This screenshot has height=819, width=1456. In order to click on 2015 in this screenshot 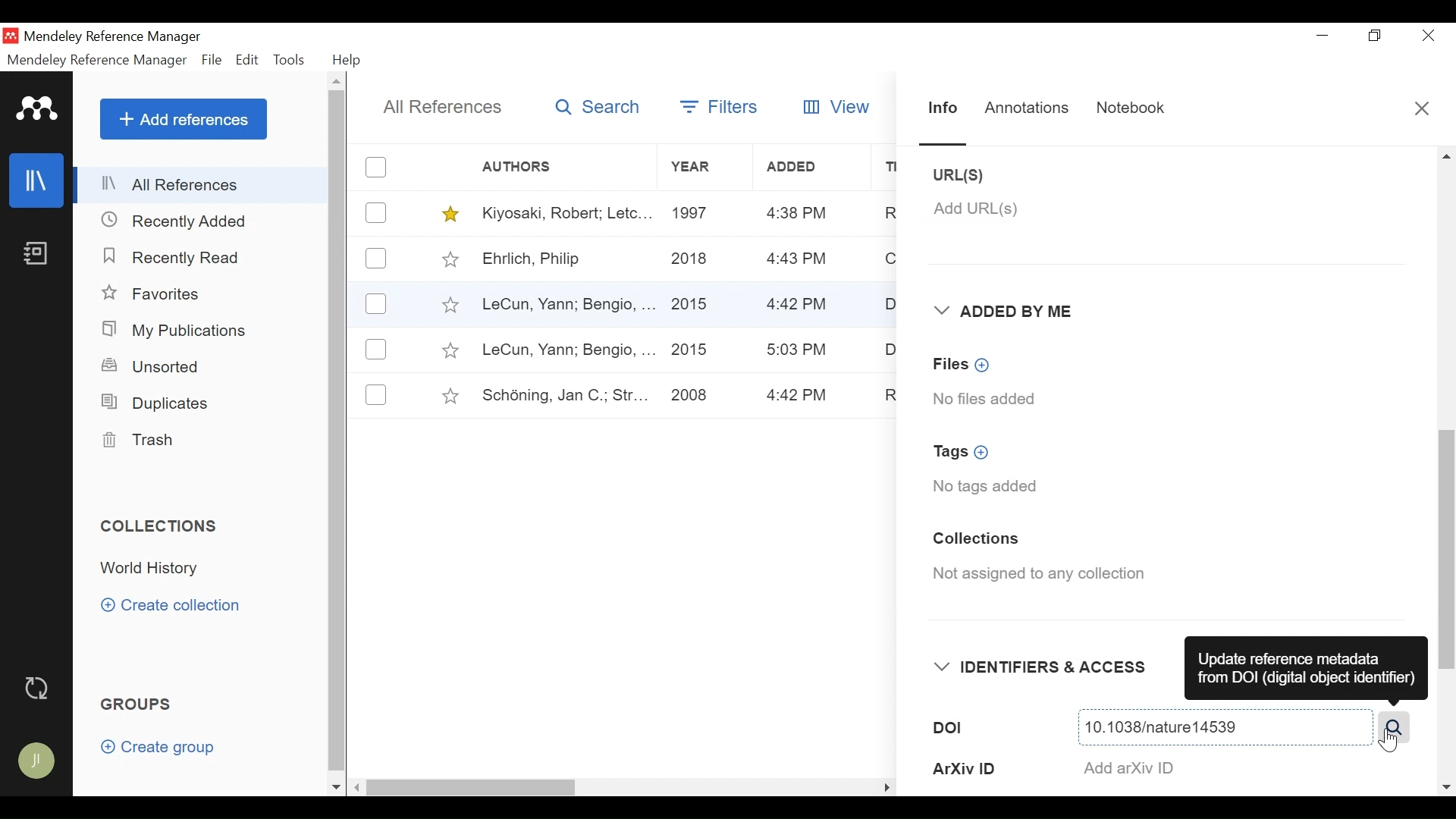, I will do `click(695, 298)`.